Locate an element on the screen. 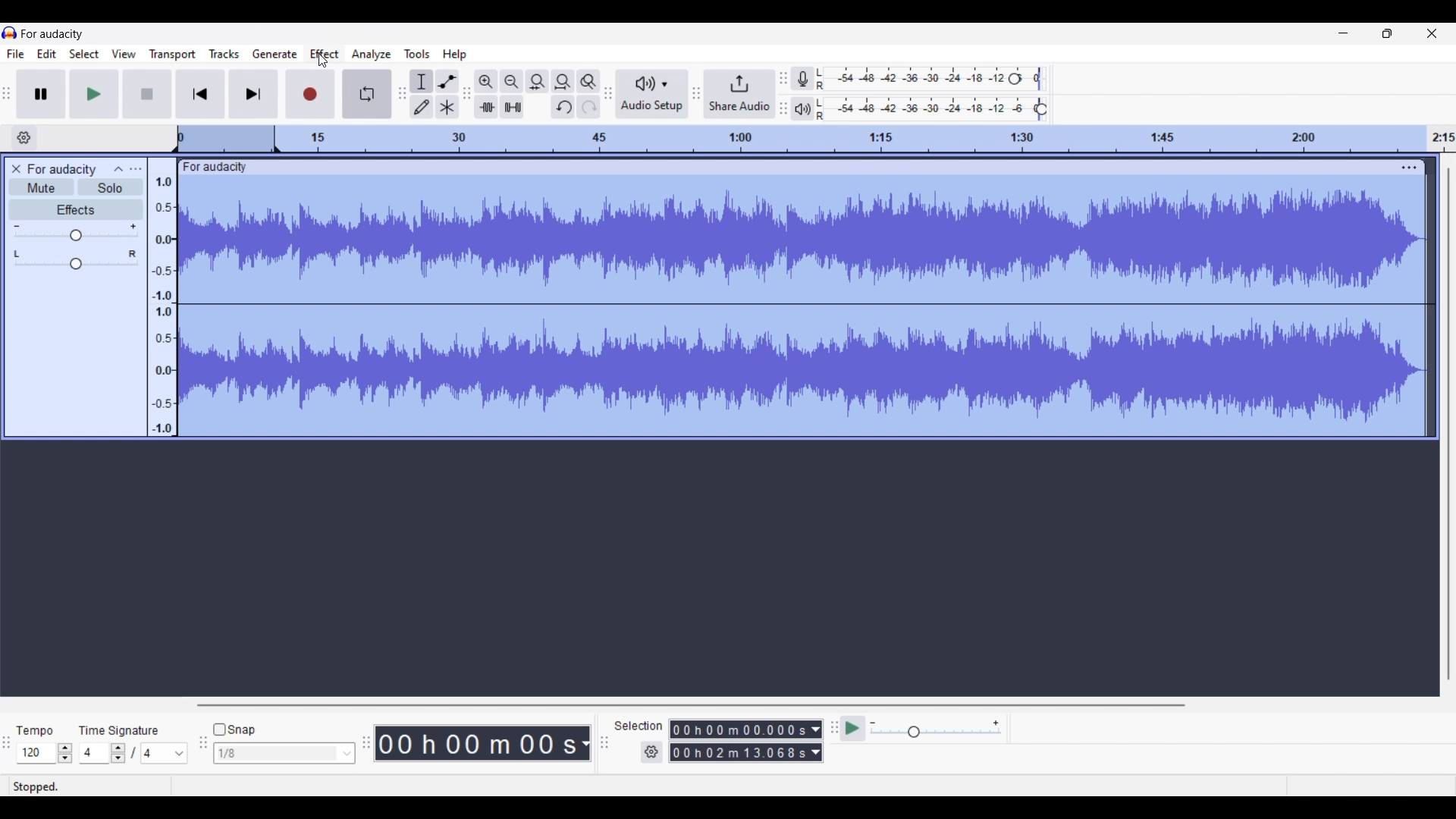  Pan left is located at coordinates (17, 254).